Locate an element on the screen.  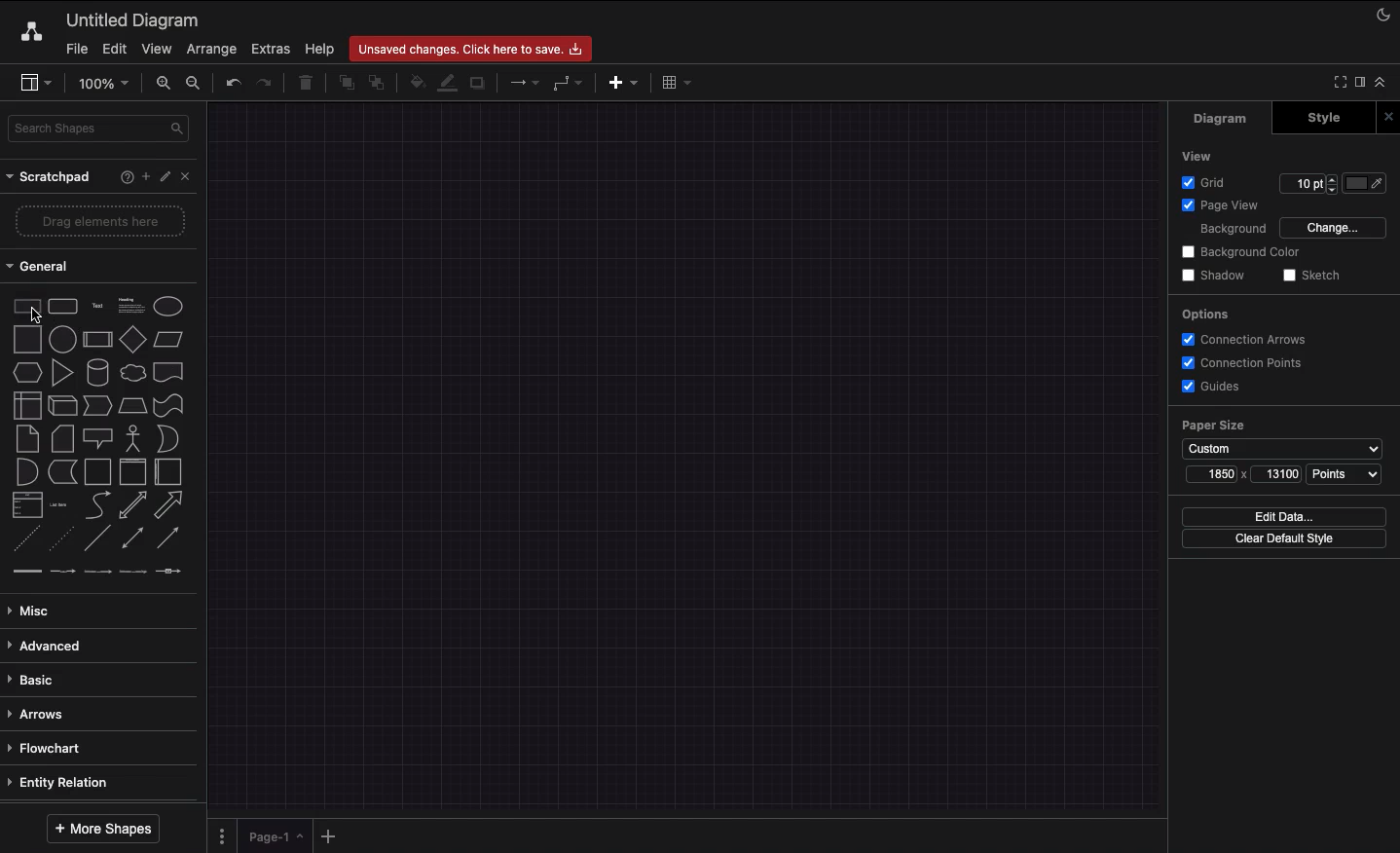
Night mode on is located at coordinates (1378, 16).